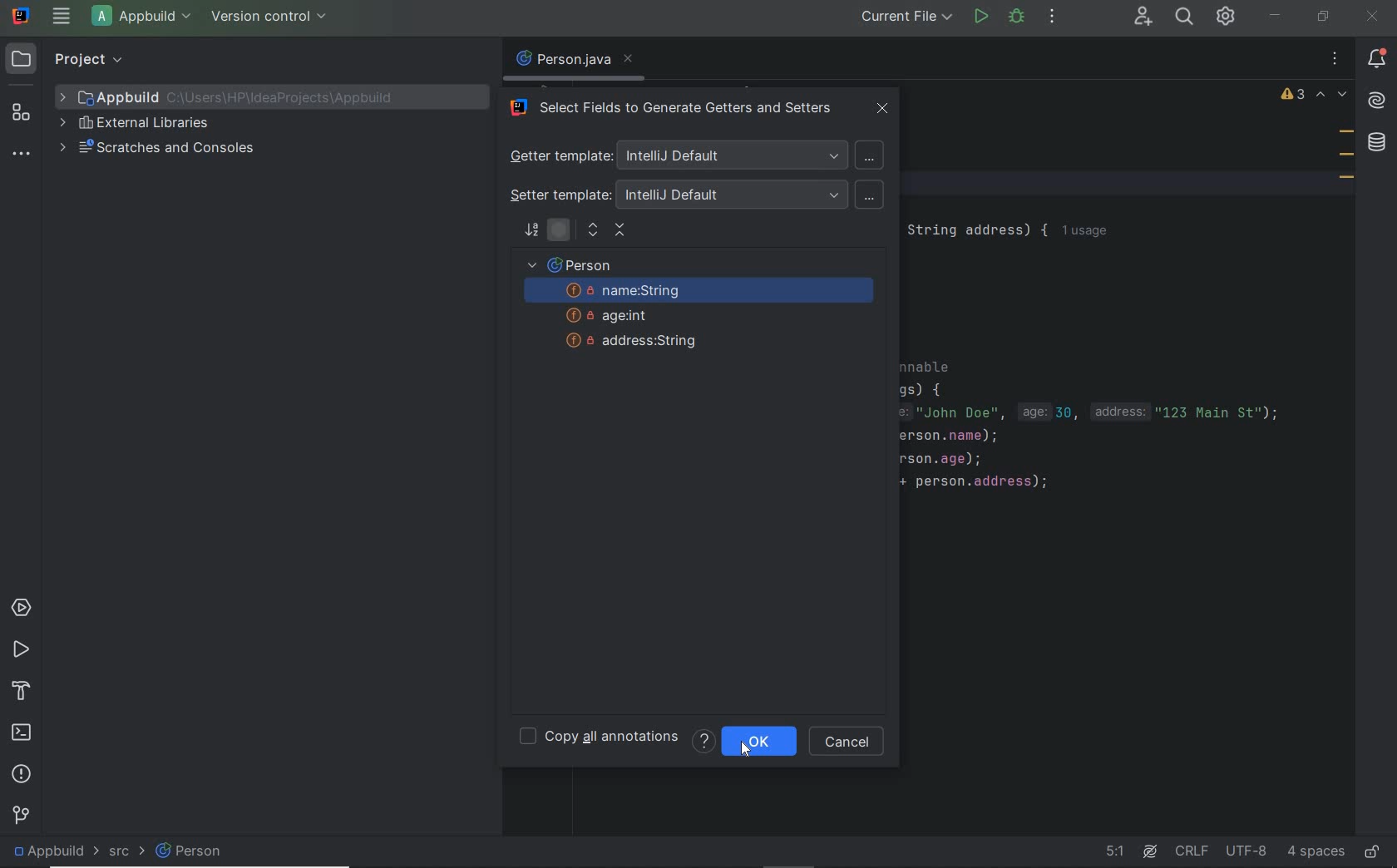 The image size is (1397, 868). Describe the element at coordinates (1375, 854) in the screenshot. I see `make file ready only` at that location.